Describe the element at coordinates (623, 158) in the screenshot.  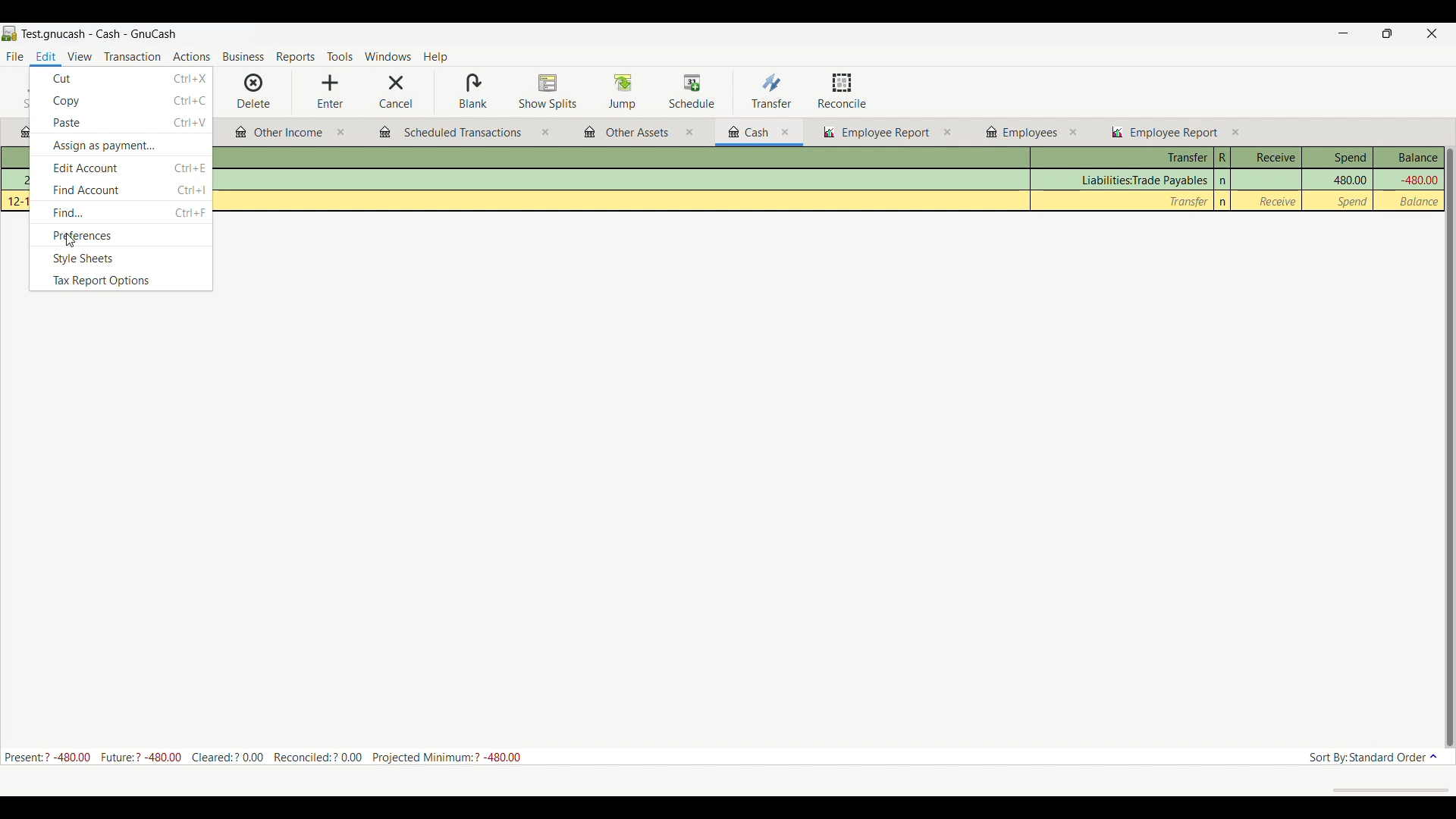
I see `Description column` at that location.